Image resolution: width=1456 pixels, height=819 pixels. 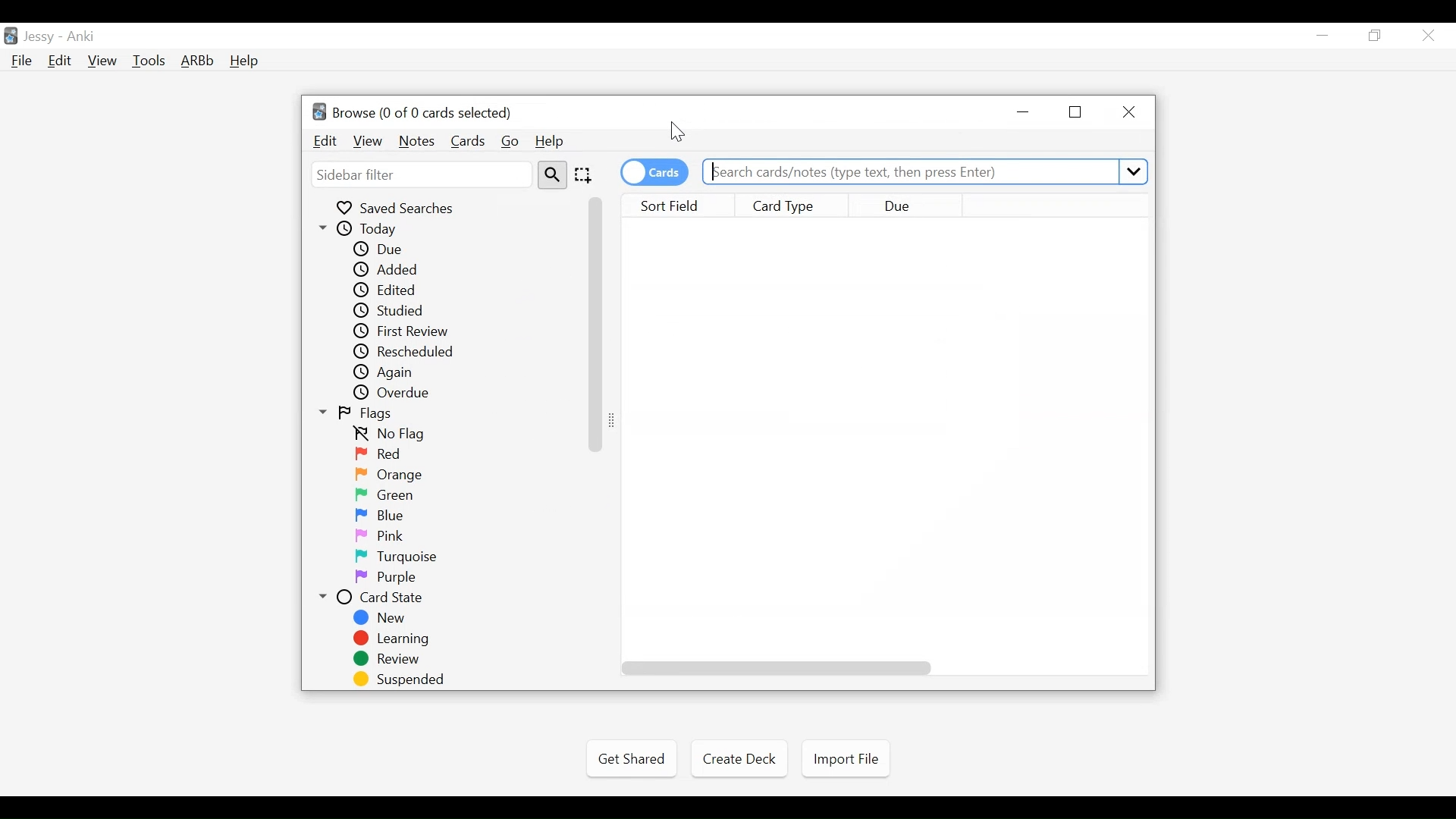 I want to click on Notes, so click(x=416, y=142).